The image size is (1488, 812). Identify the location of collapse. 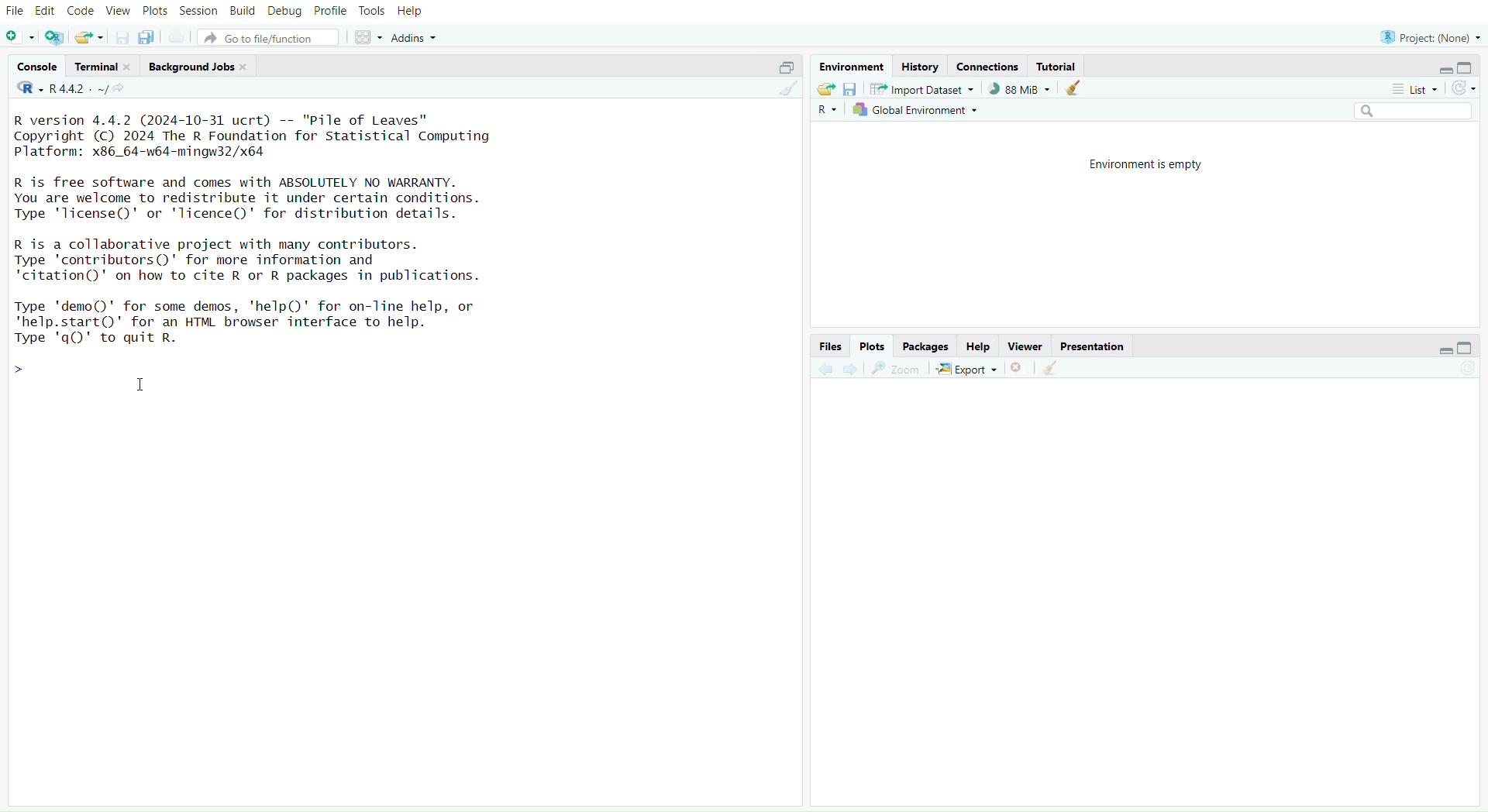
(1470, 349).